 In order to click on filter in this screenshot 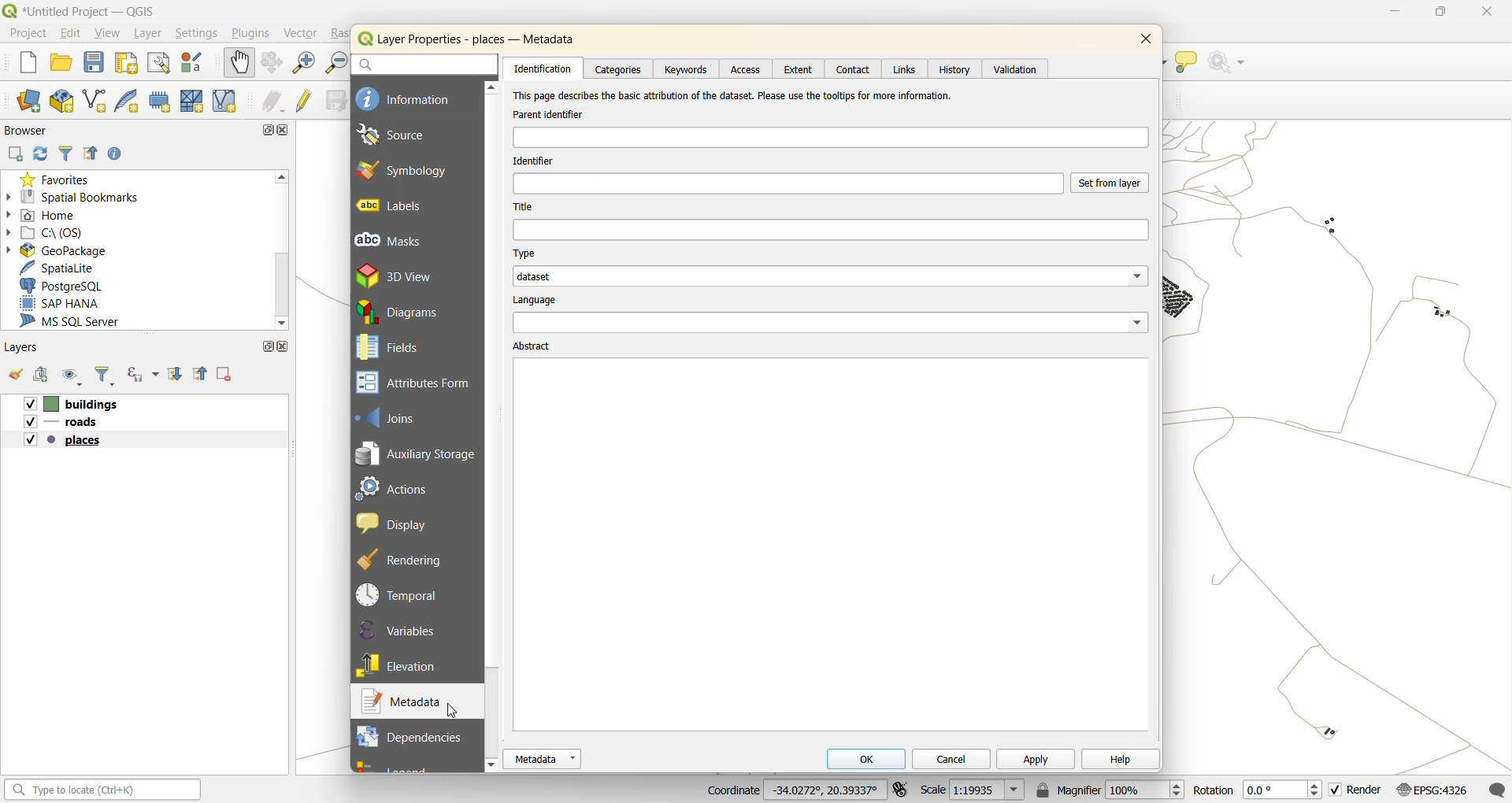, I will do `click(105, 376)`.